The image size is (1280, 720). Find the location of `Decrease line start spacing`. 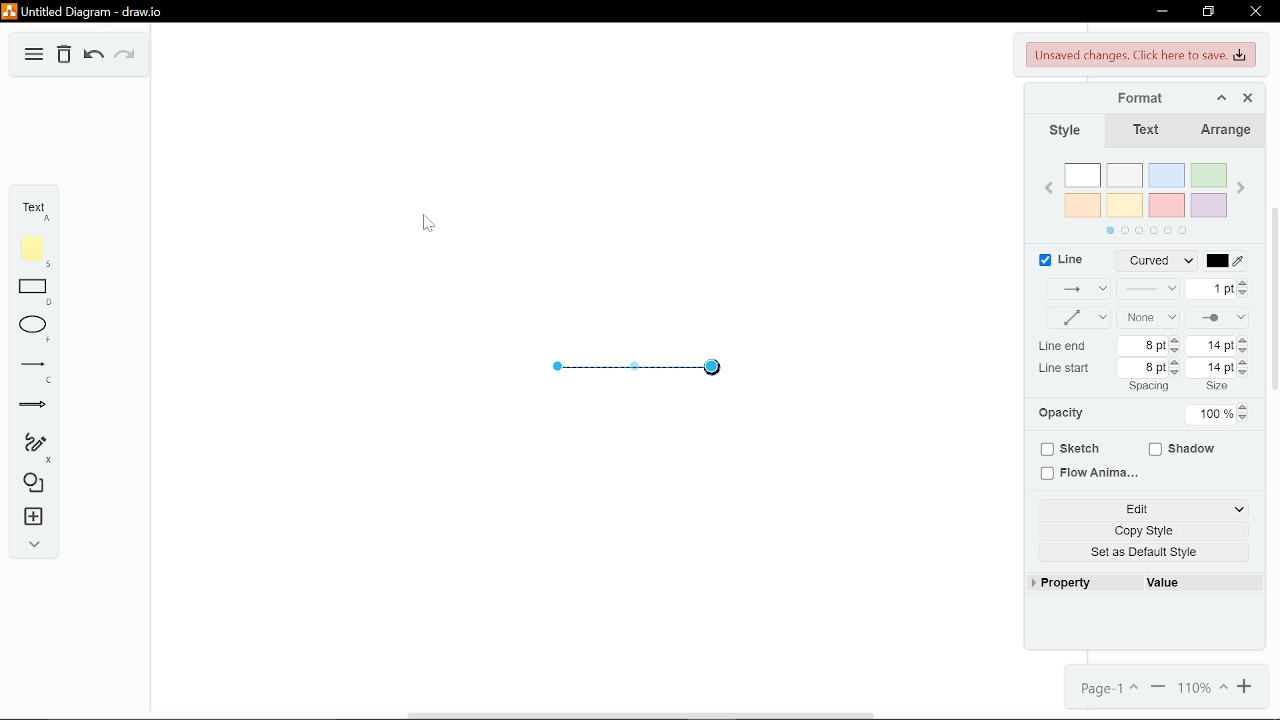

Decrease line start spacing is located at coordinates (1176, 374).